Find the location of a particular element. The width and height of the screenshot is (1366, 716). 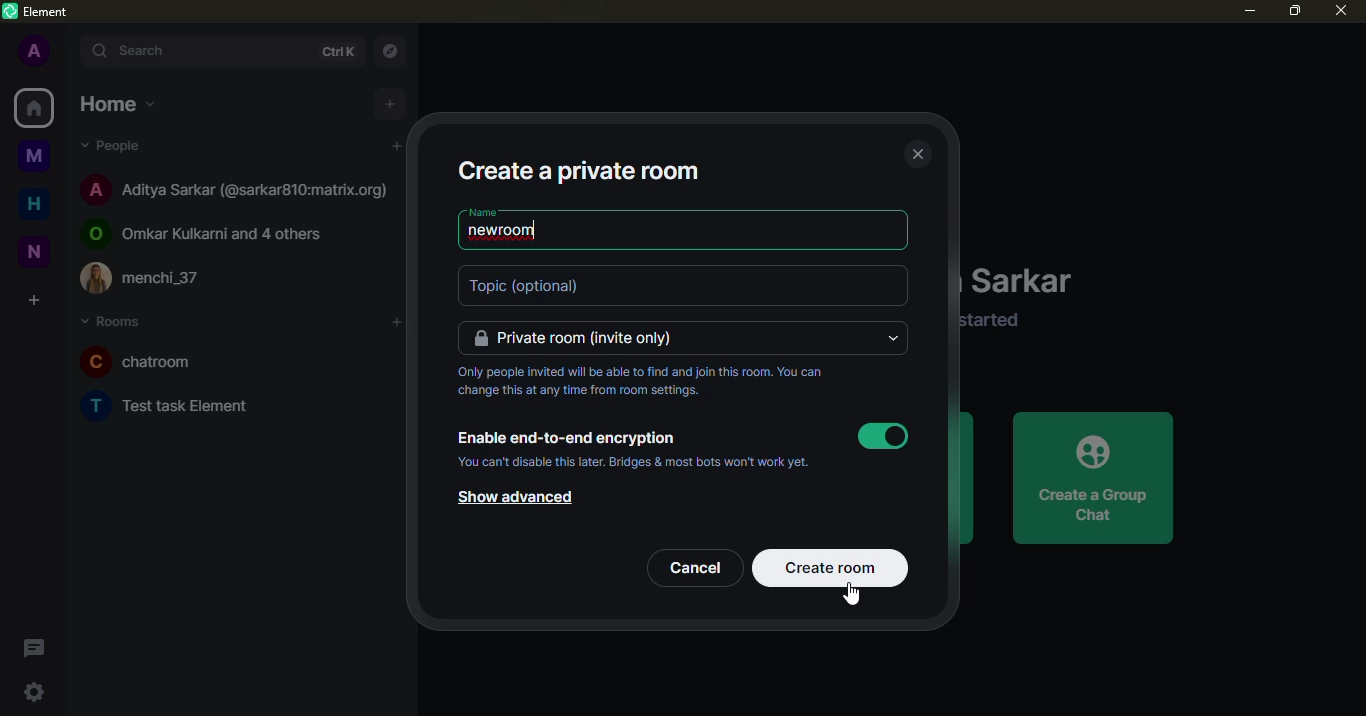

Omkar Kulkarni and 4 others is located at coordinates (205, 234).